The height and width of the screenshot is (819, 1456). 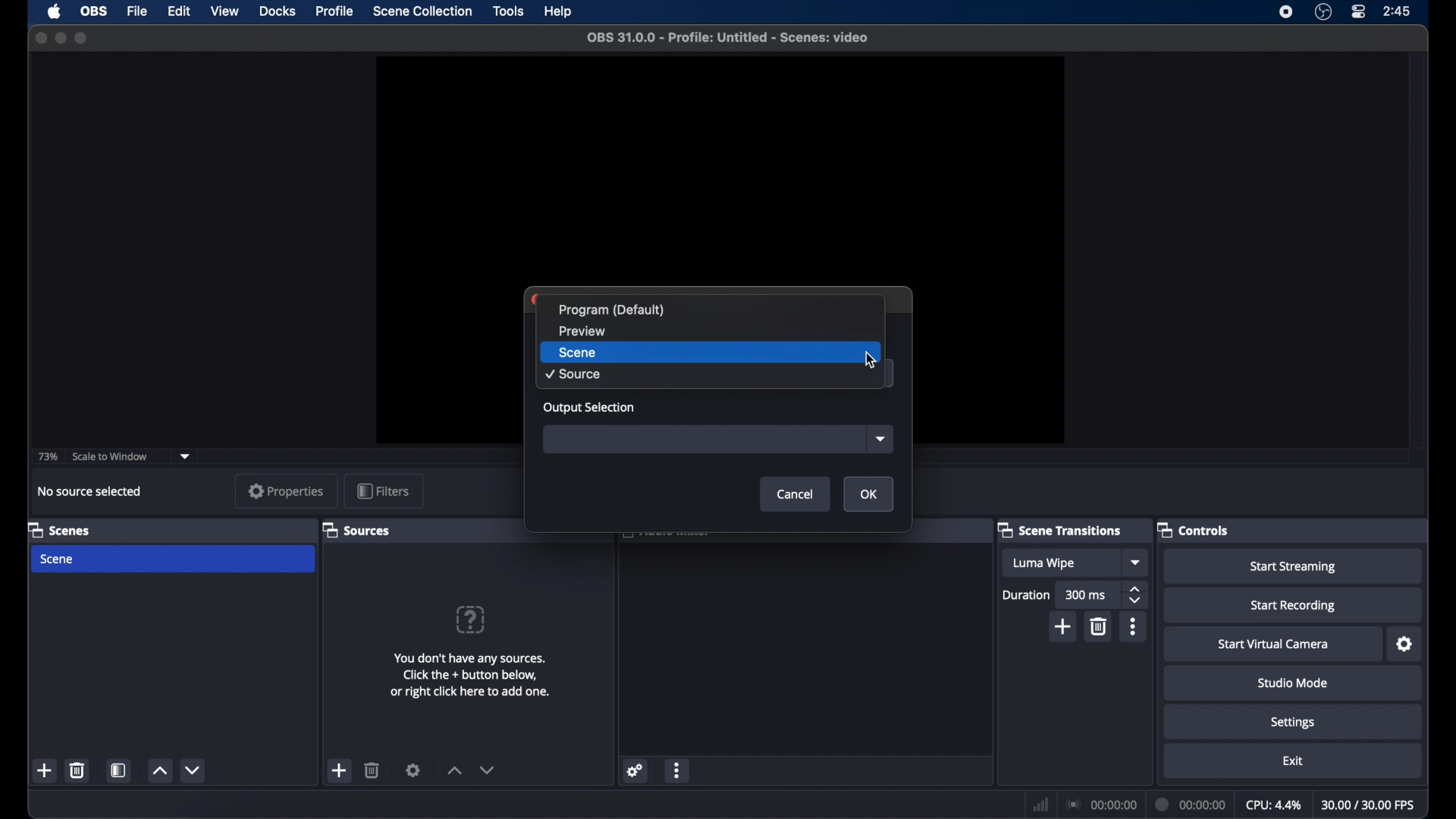 I want to click on settings, so click(x=1403, y=645).